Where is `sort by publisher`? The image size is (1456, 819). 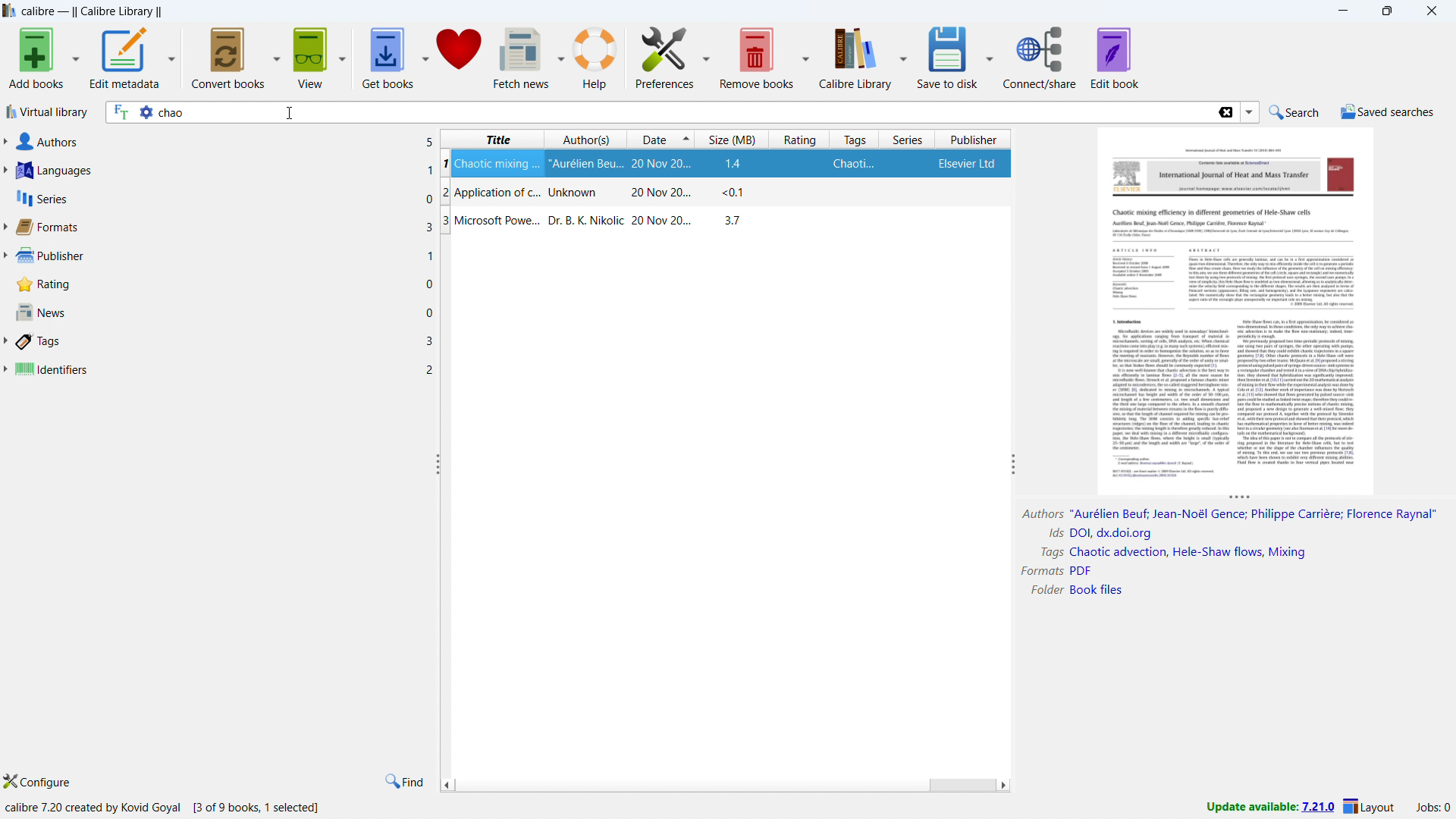 sort by publisher is located at coordinates (977, 139).